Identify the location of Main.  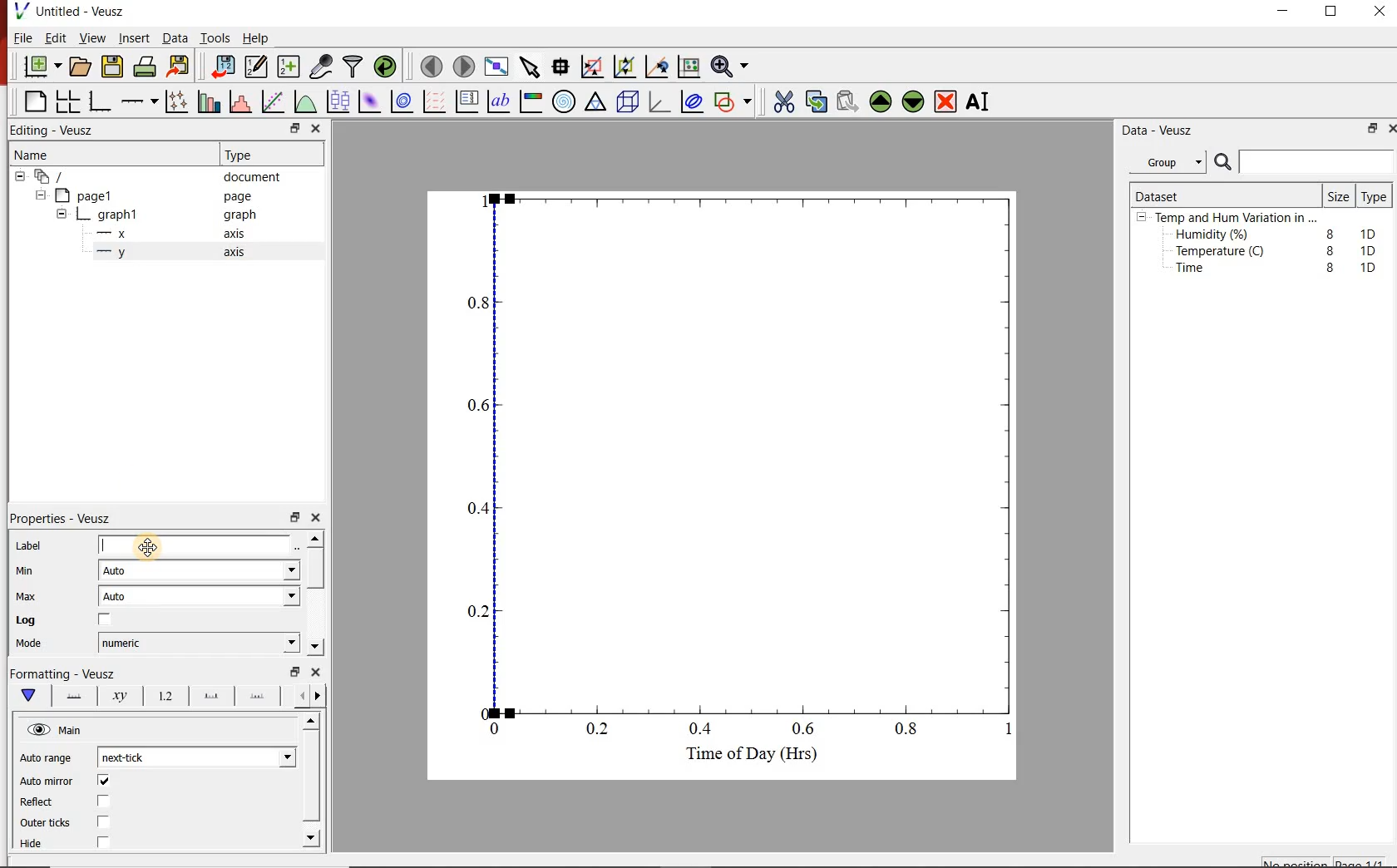
(82, 732).